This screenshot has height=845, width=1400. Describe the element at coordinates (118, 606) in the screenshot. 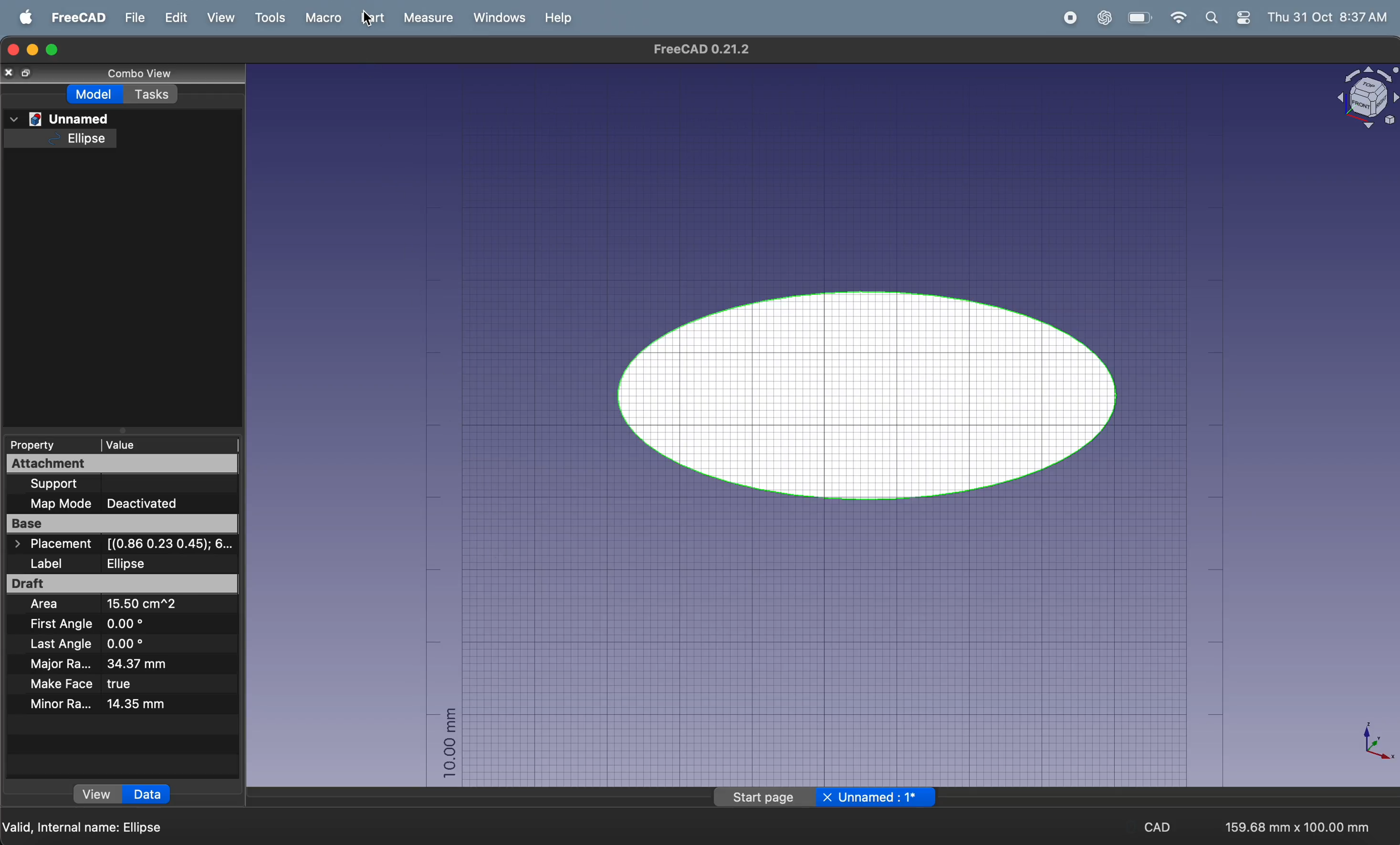

I see `area` at that location.